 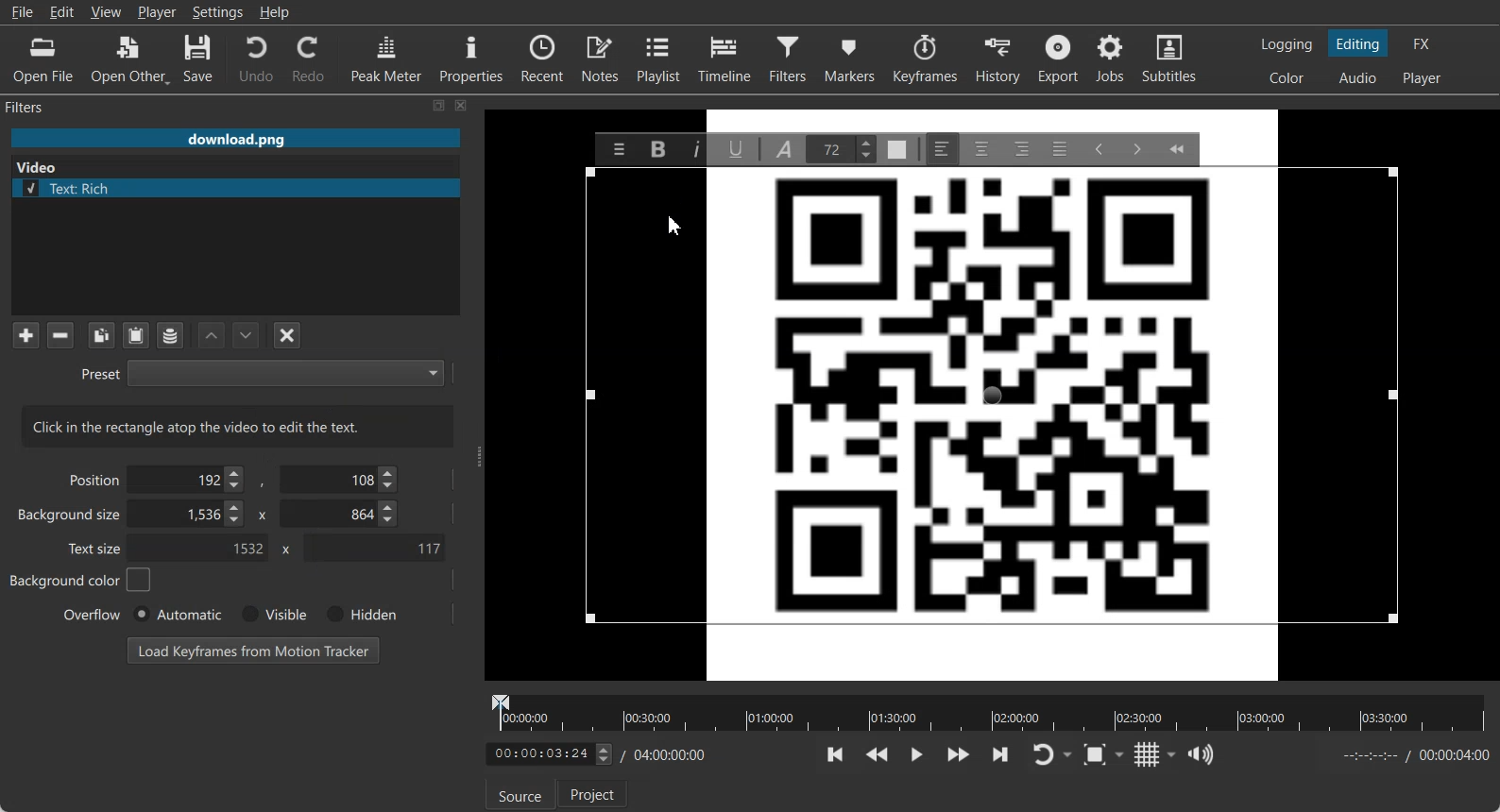 What do you see at coordinates (26, 334) in the screenshot?
I see `Add a filter` at bounding box center [26, 334].